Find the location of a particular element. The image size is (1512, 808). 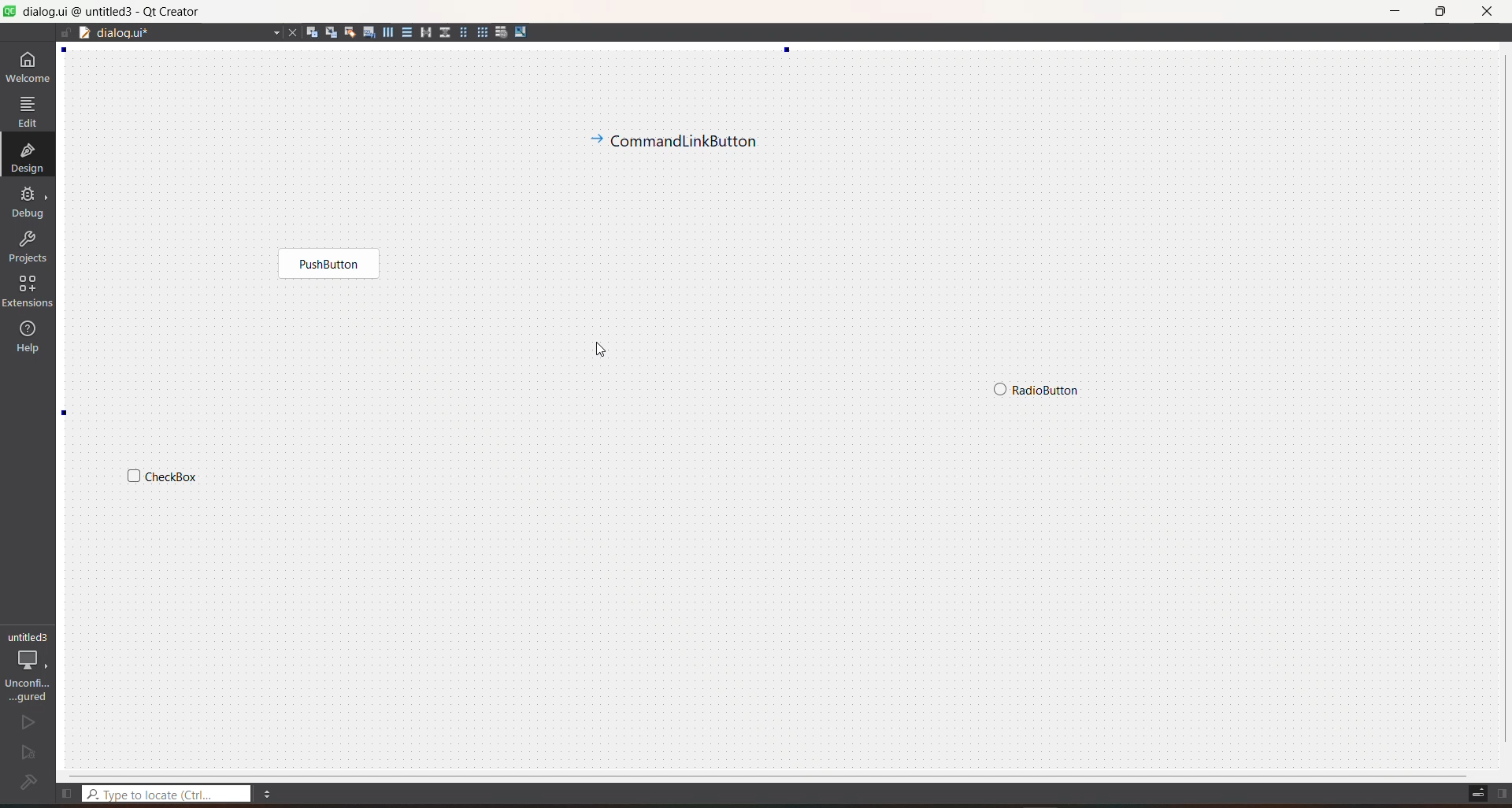

cursor is located at coordinates (597, 354).